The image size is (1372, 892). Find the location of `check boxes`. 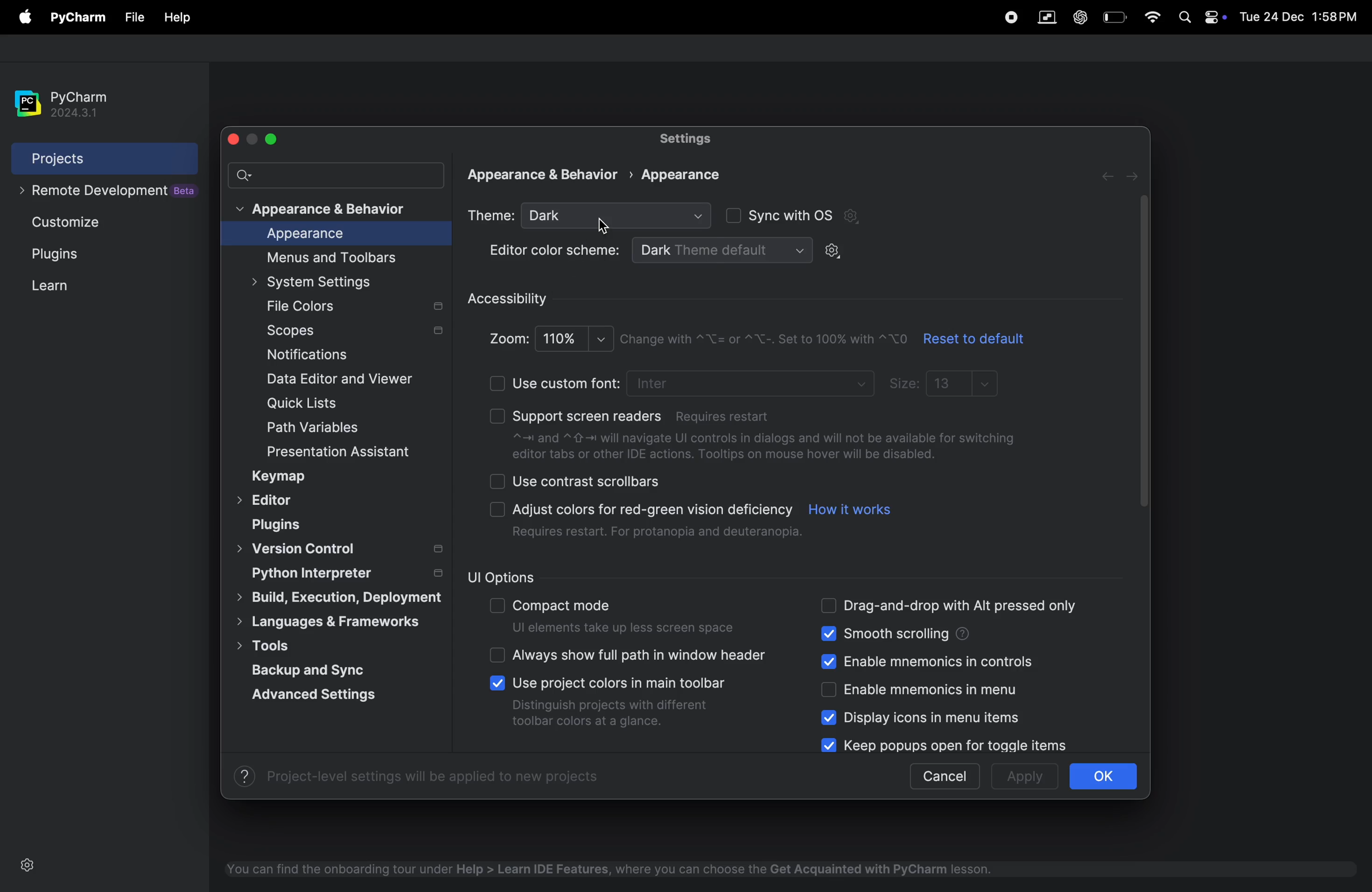

check boxes is located at coordinates (497, 603).